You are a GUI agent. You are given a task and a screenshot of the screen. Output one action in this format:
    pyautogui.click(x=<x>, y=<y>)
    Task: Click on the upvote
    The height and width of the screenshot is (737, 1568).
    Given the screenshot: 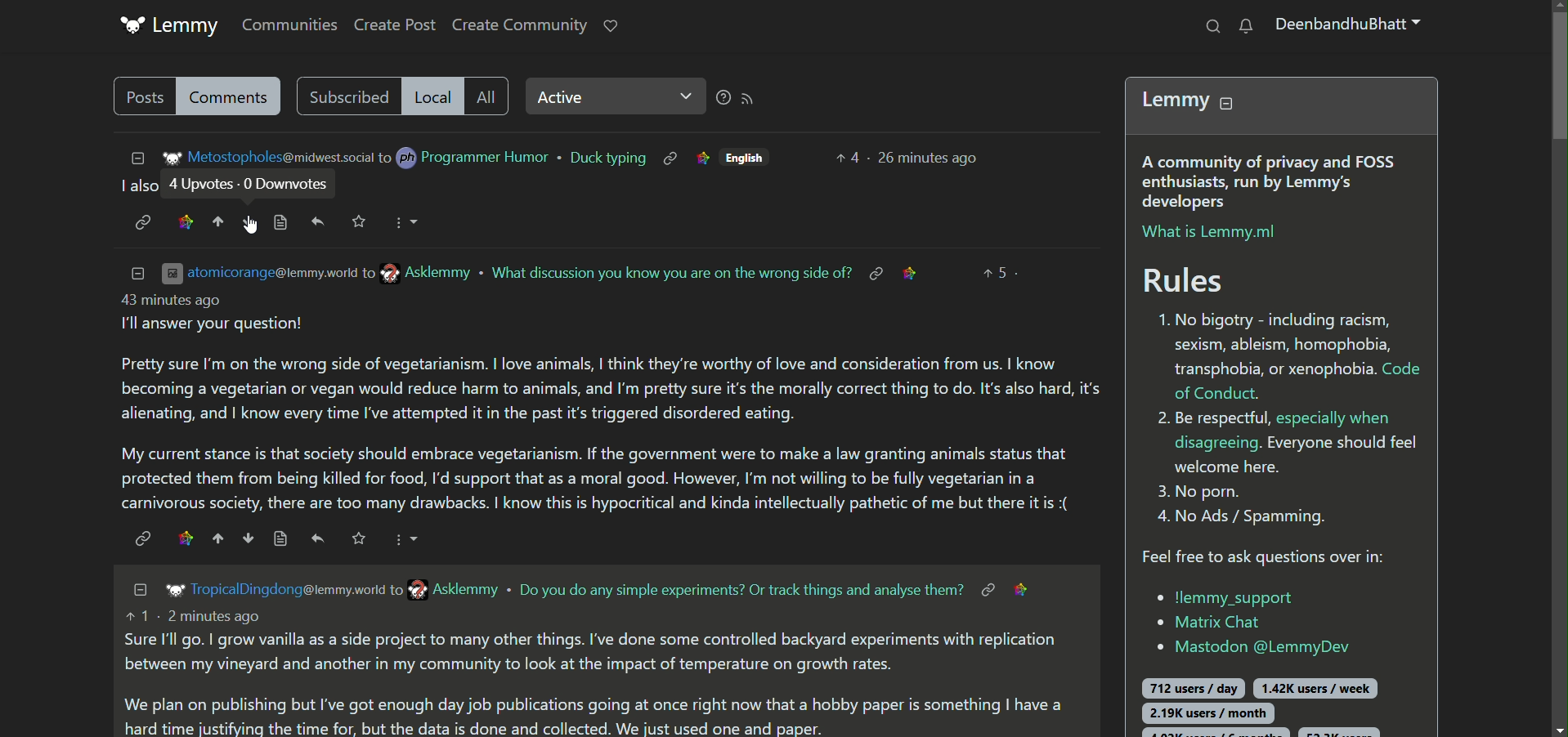 What is the action you would take?
    pyautogui.click(x=217, y=538)
    